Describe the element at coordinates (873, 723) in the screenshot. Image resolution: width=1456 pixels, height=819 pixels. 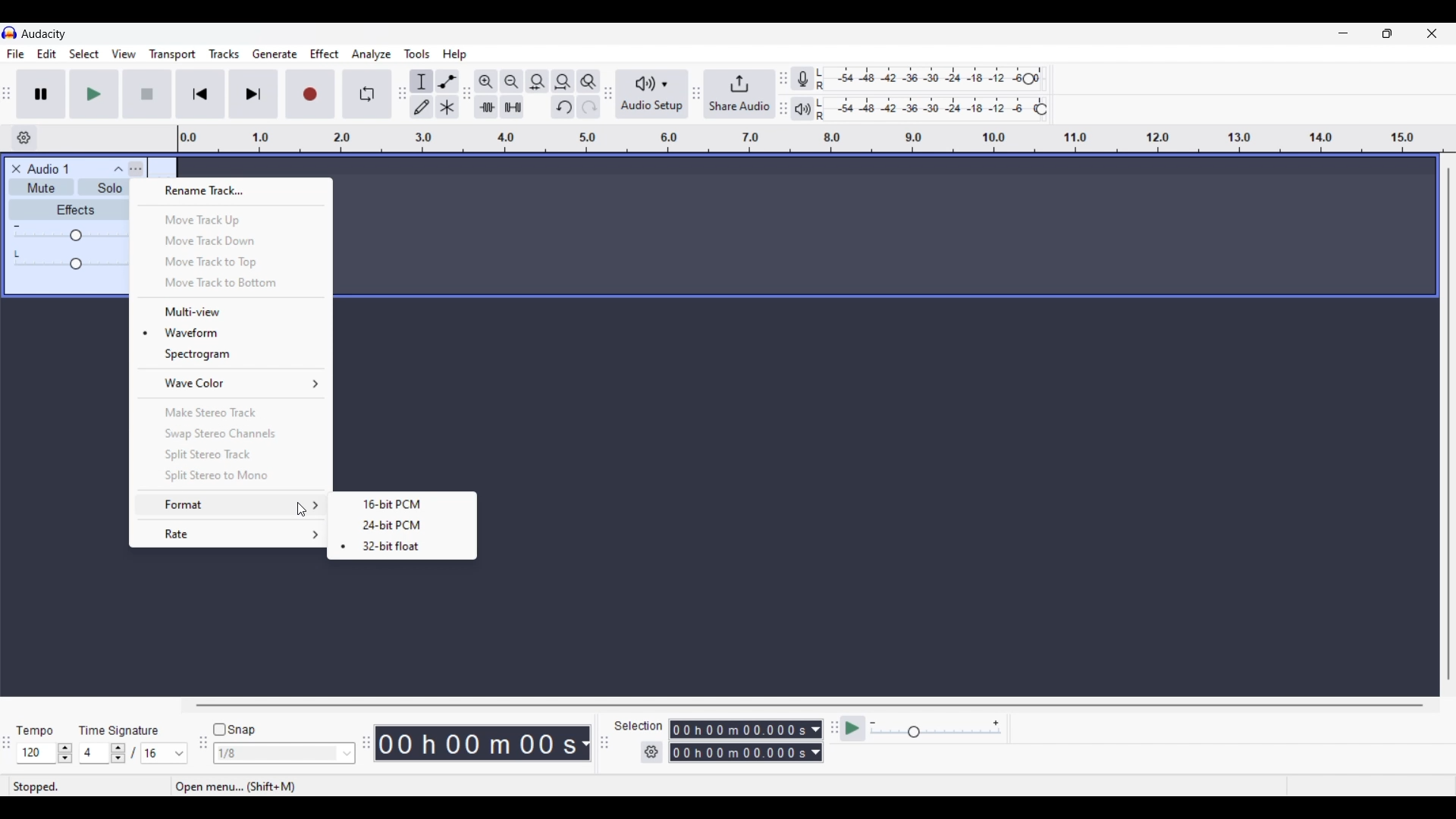
I see `Decrease playback speed to minimum` at that location.